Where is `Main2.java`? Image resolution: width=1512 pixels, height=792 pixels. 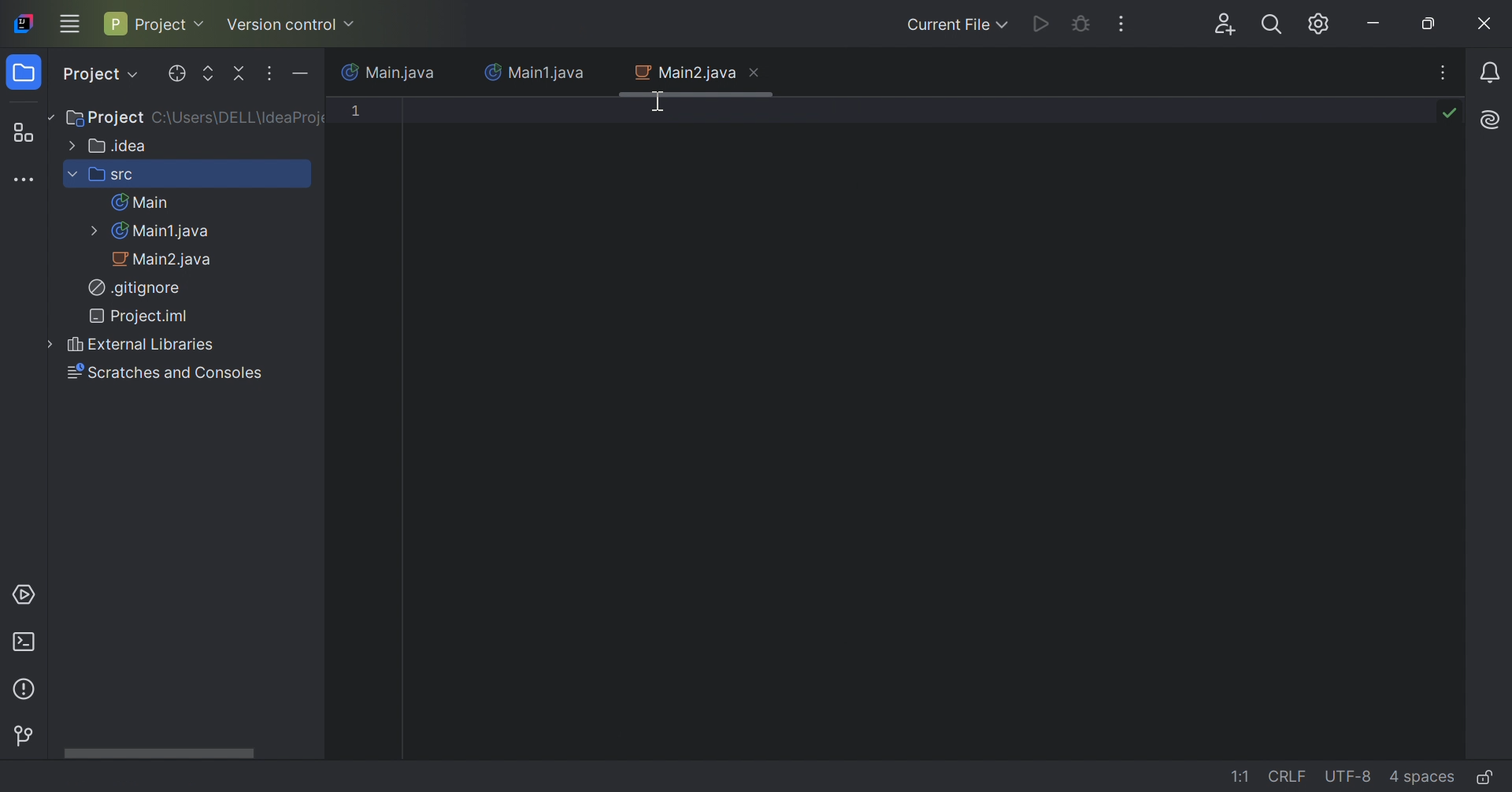
Main2.java is located at coordinates (164, 261).